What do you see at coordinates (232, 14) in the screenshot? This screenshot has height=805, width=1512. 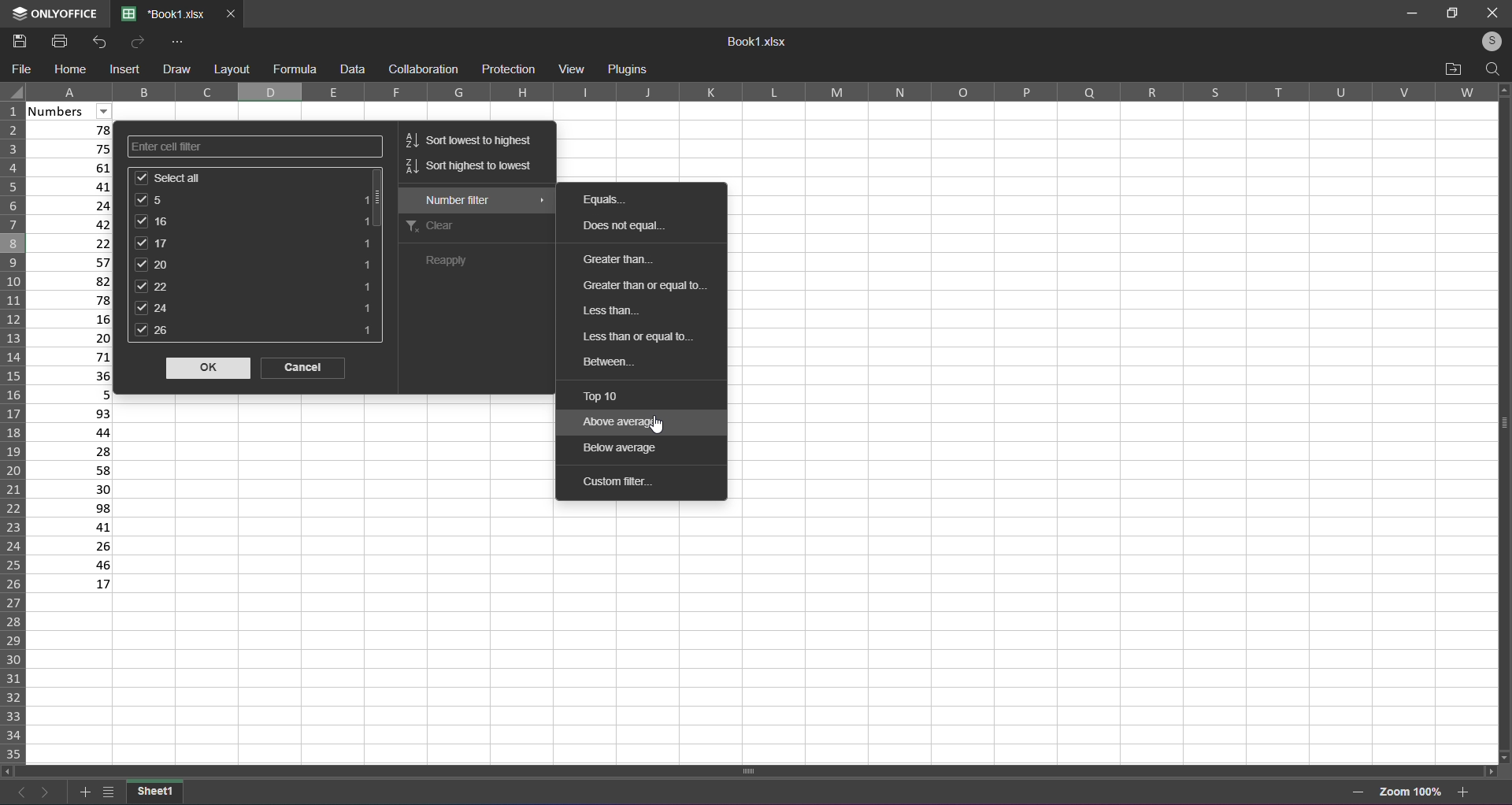 I see `Close Tab` at bounding box center [232, 14].